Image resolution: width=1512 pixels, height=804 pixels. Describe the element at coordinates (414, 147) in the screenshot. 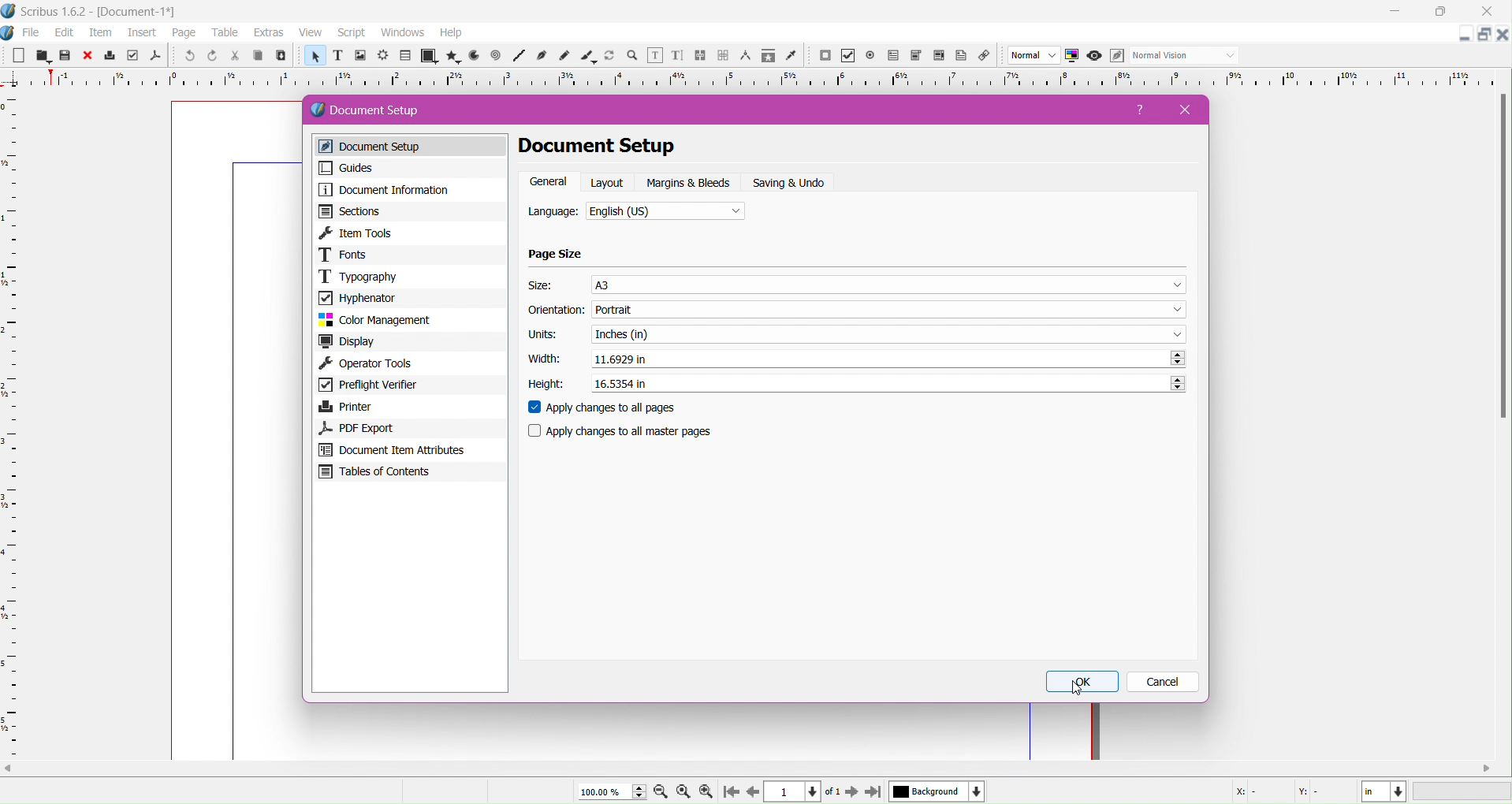

I see `Document Setup` at that location.